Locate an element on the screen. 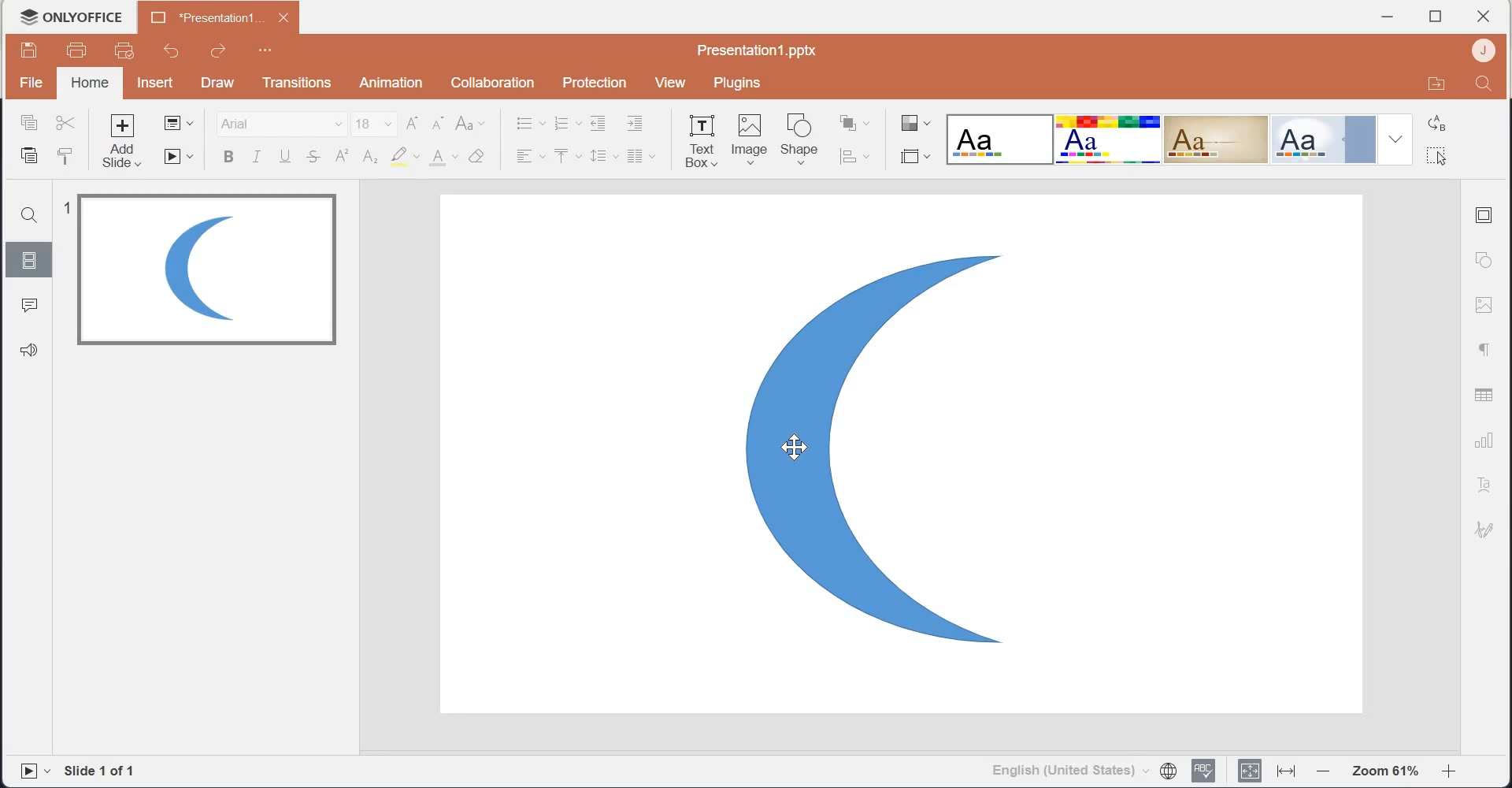 The width and height of the screenshot is (1512, 788). Shape is located at coordinates (1488, 257).